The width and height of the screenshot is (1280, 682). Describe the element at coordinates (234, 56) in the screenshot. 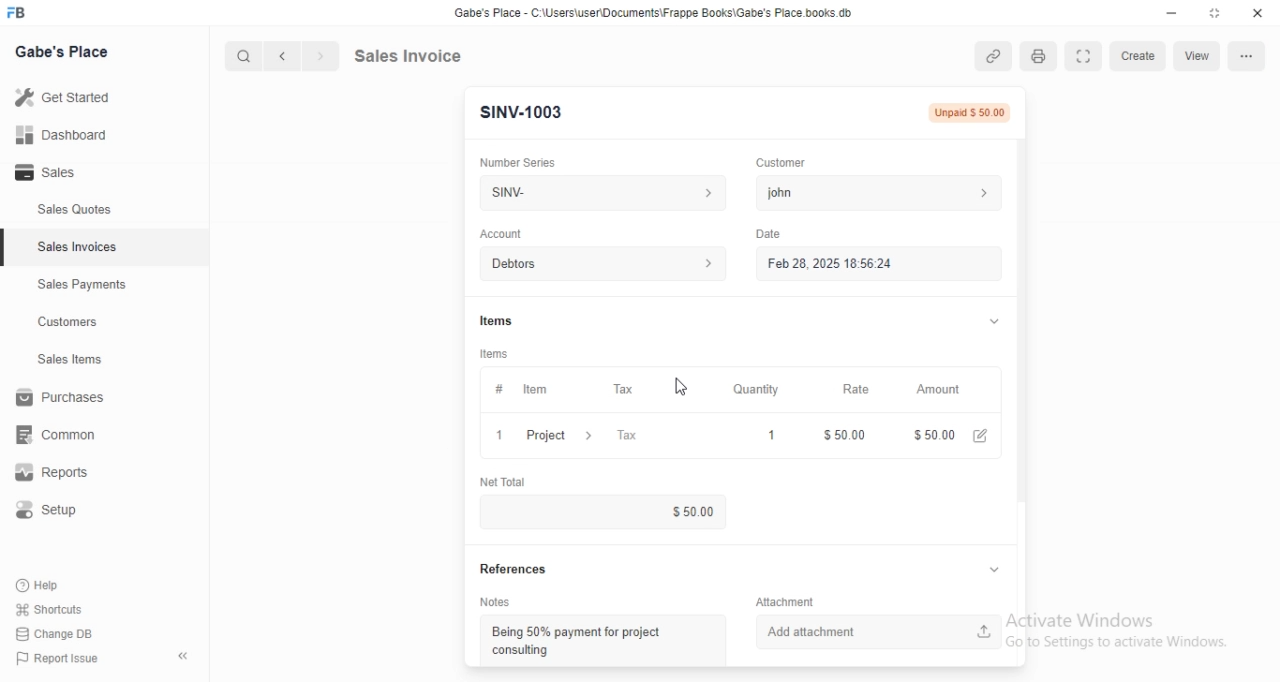

I see `cursor` at that location.